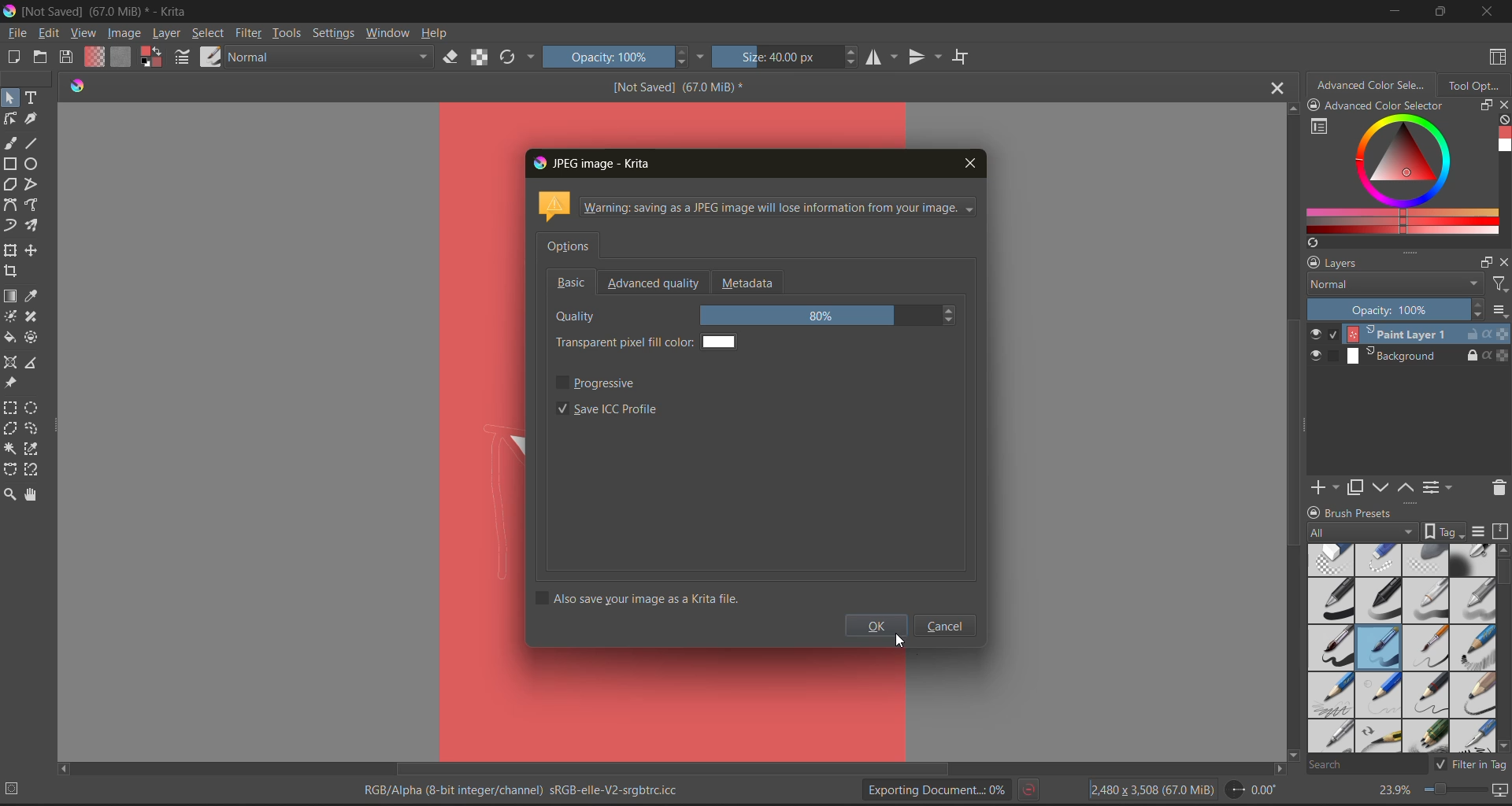 This screenshot has width=1512, height=806. What do you see at coordinates (336, 33) in the screenshot?
I see `settings` at bounding box center [336, 33].